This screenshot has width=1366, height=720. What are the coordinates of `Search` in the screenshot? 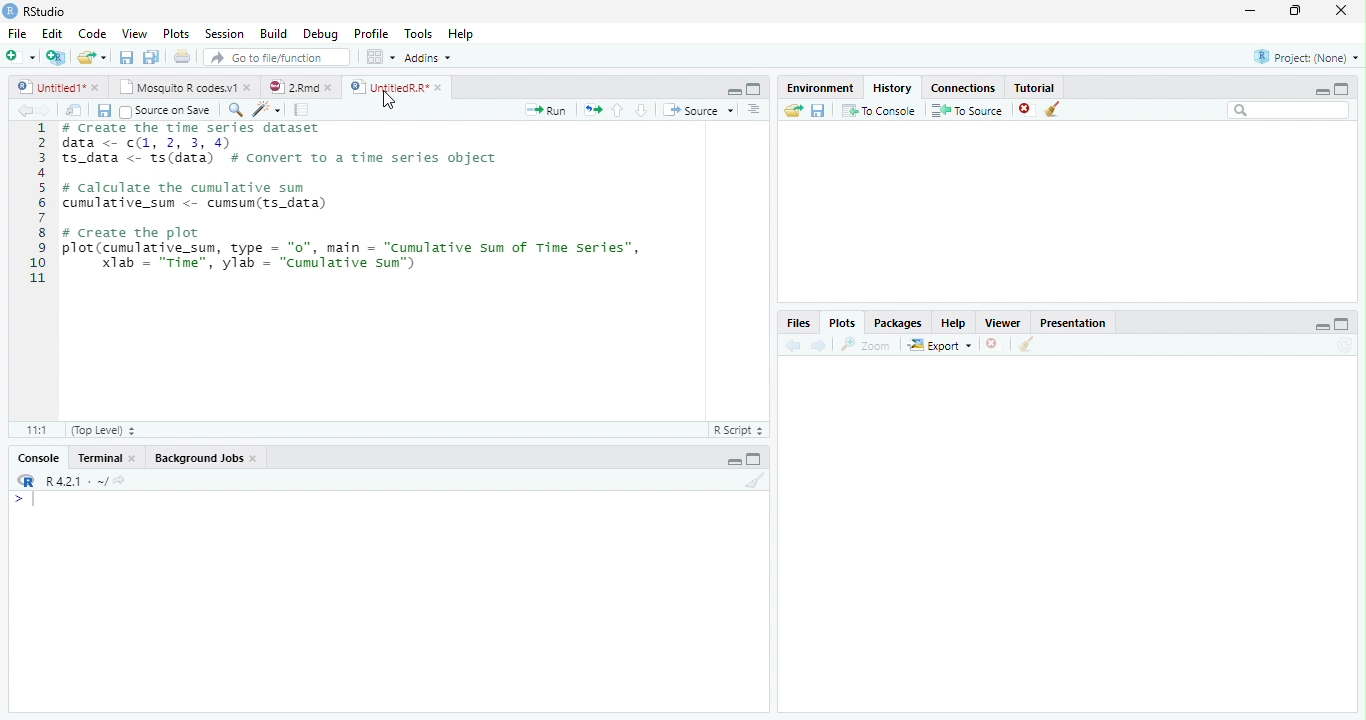 It's located at (1287, 111).